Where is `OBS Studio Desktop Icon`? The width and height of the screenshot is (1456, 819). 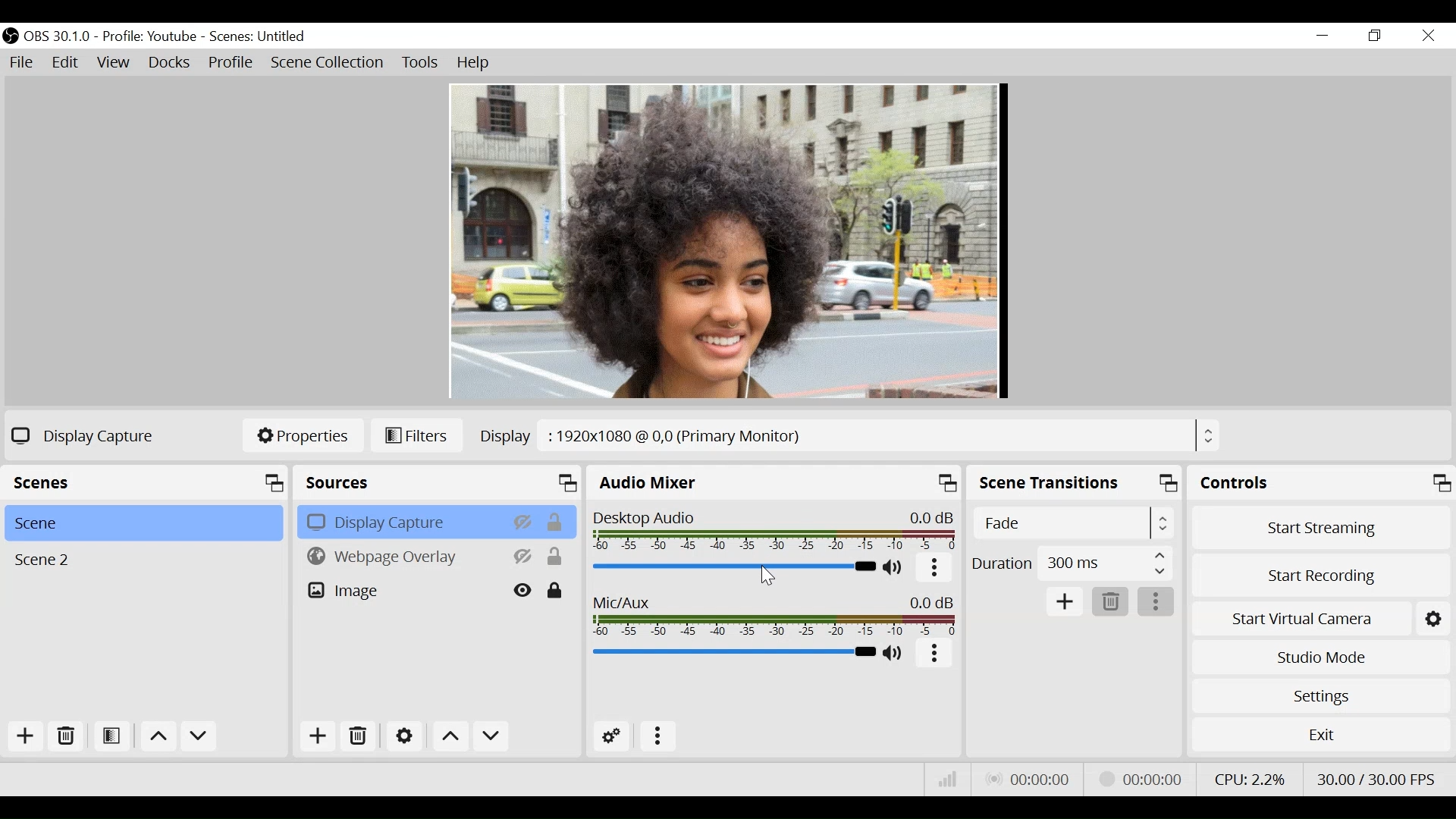 OBS Studio Desktop Icon is located at coordinates (10, 36).